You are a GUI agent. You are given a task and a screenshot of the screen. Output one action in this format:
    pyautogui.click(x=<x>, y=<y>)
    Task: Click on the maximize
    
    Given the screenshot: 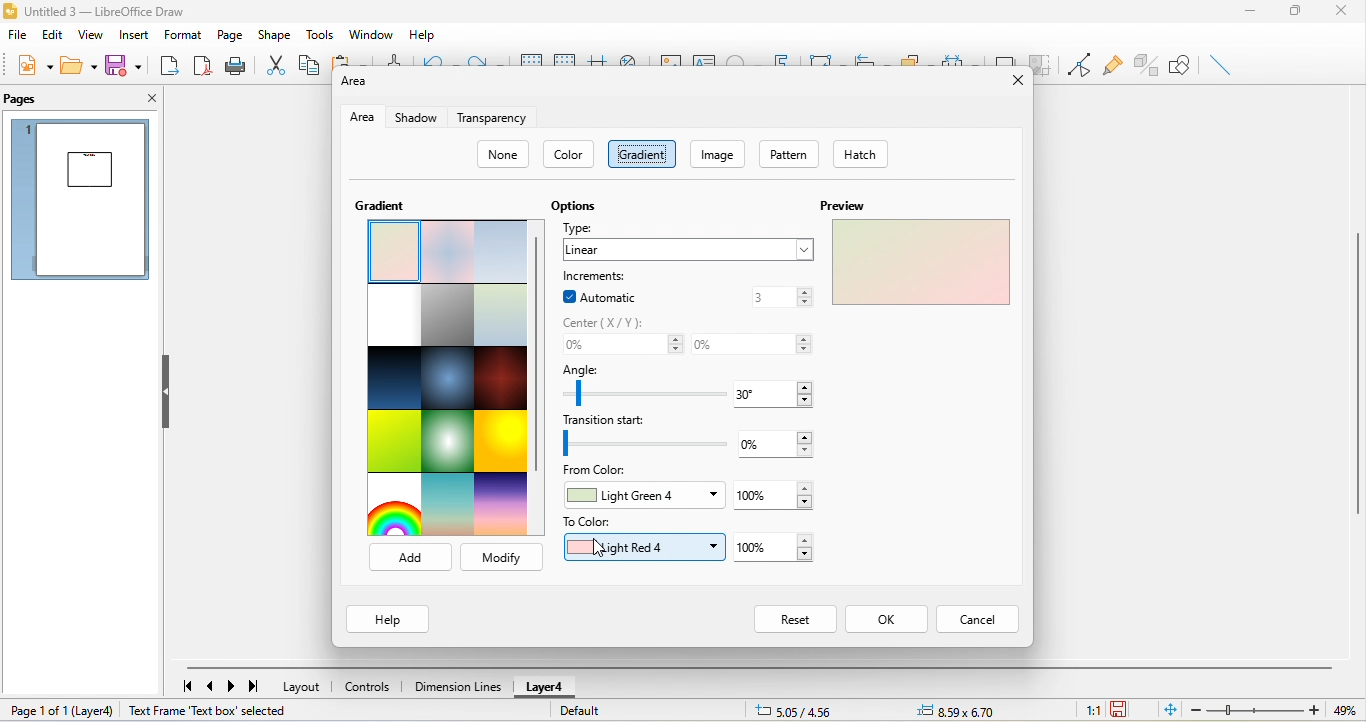 What is the action you would take?
    pyautogui.click(x=1296, y=11)
    